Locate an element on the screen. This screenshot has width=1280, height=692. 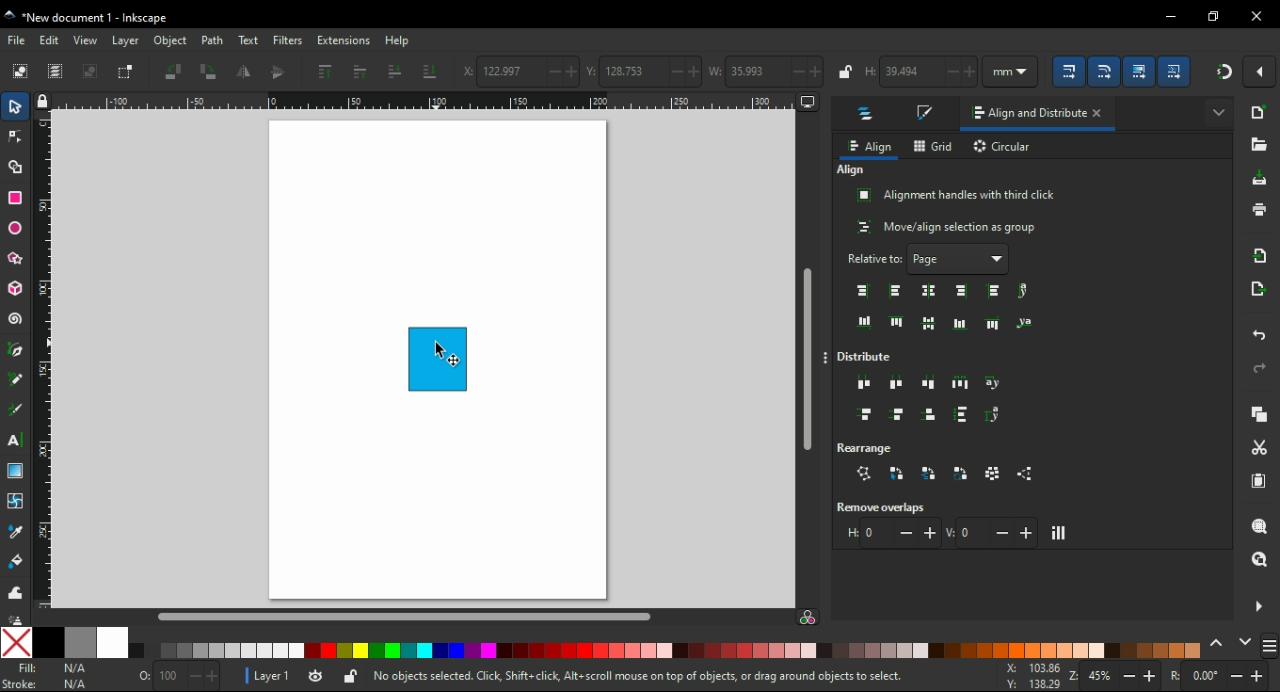
center on vertical axis is located at coordinates (927, 291).